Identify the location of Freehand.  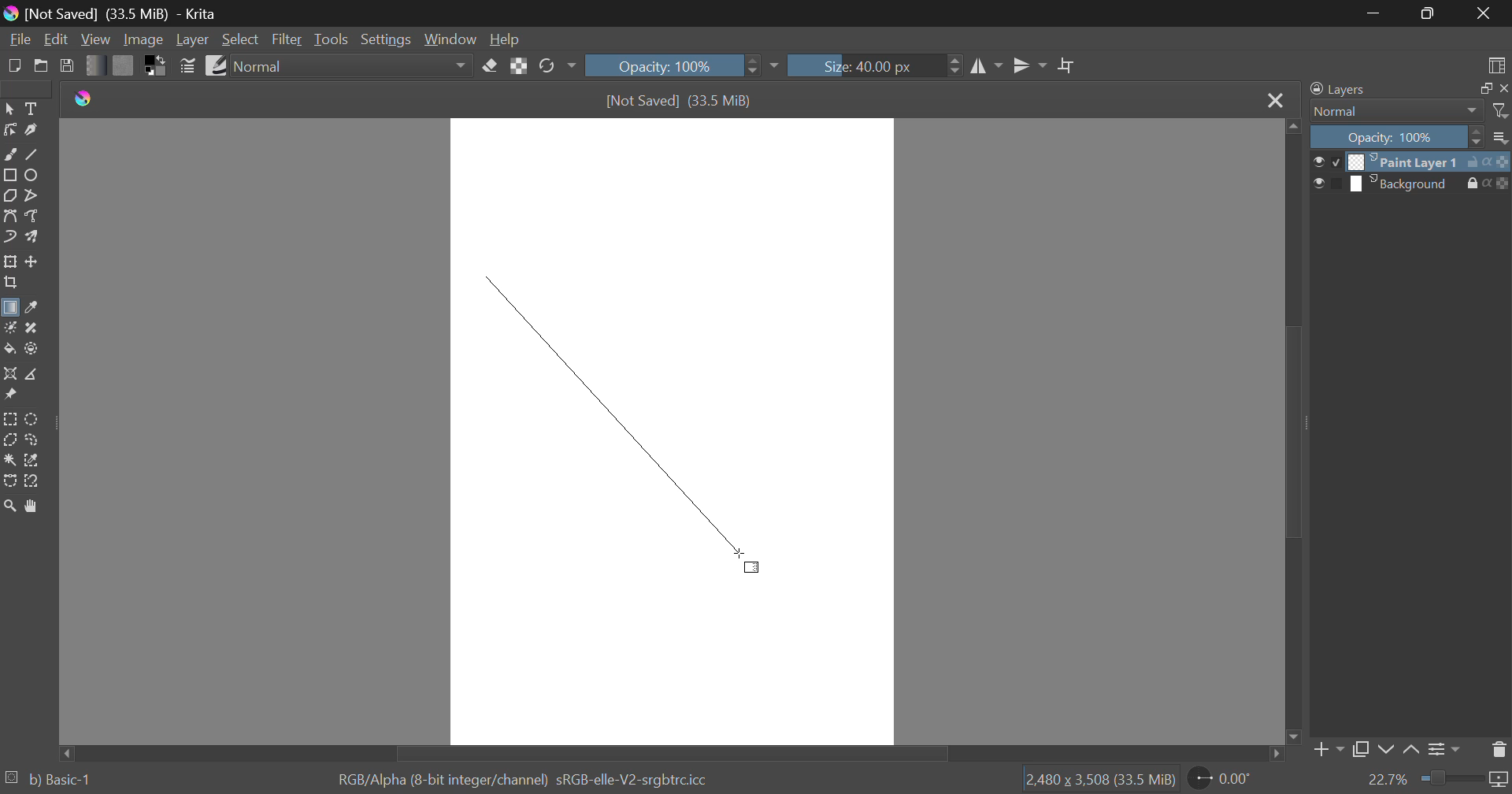
(9, 153).